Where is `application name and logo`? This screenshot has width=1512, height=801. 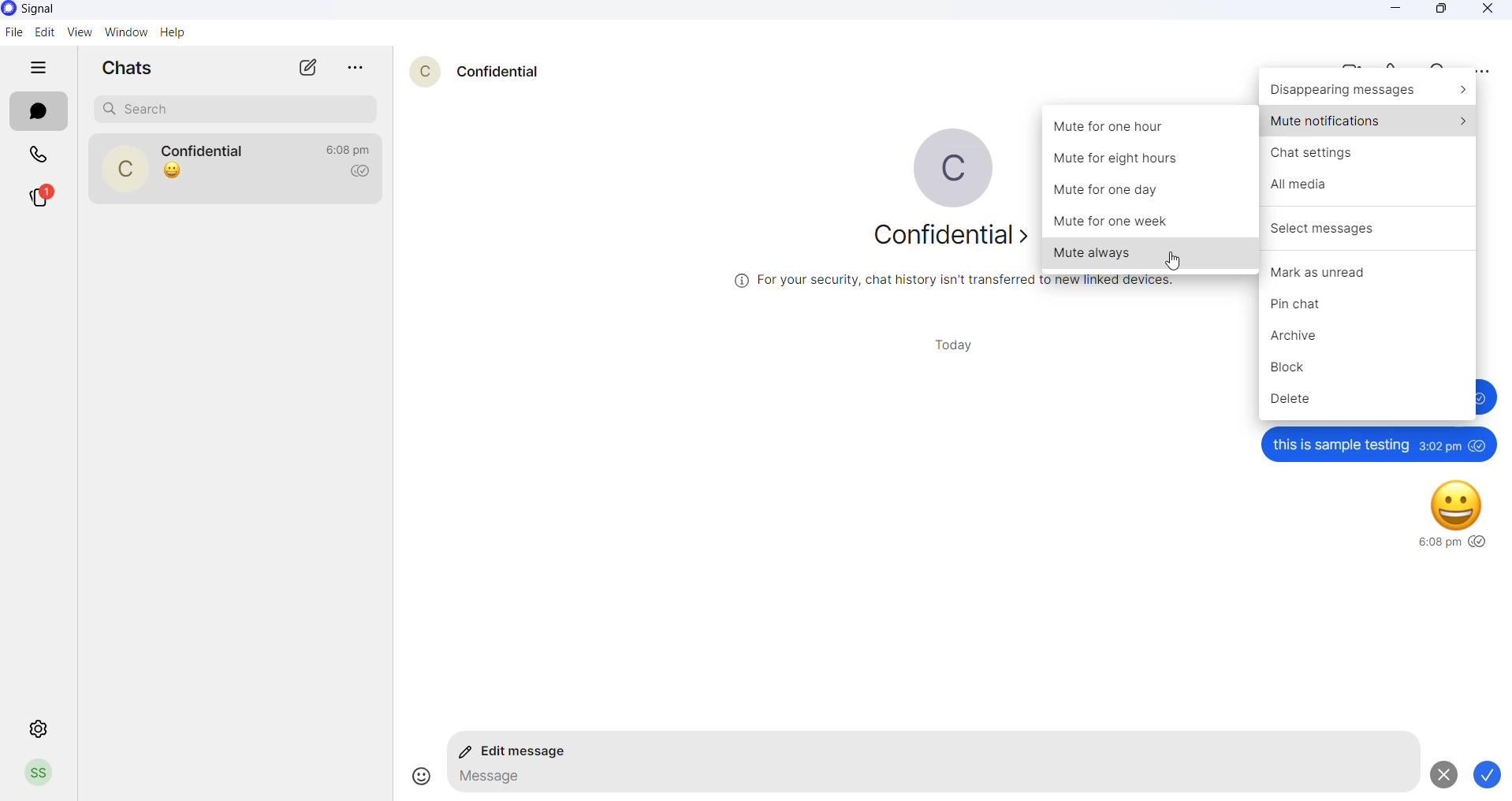
application name and logo is located at coordinates (50, 9).